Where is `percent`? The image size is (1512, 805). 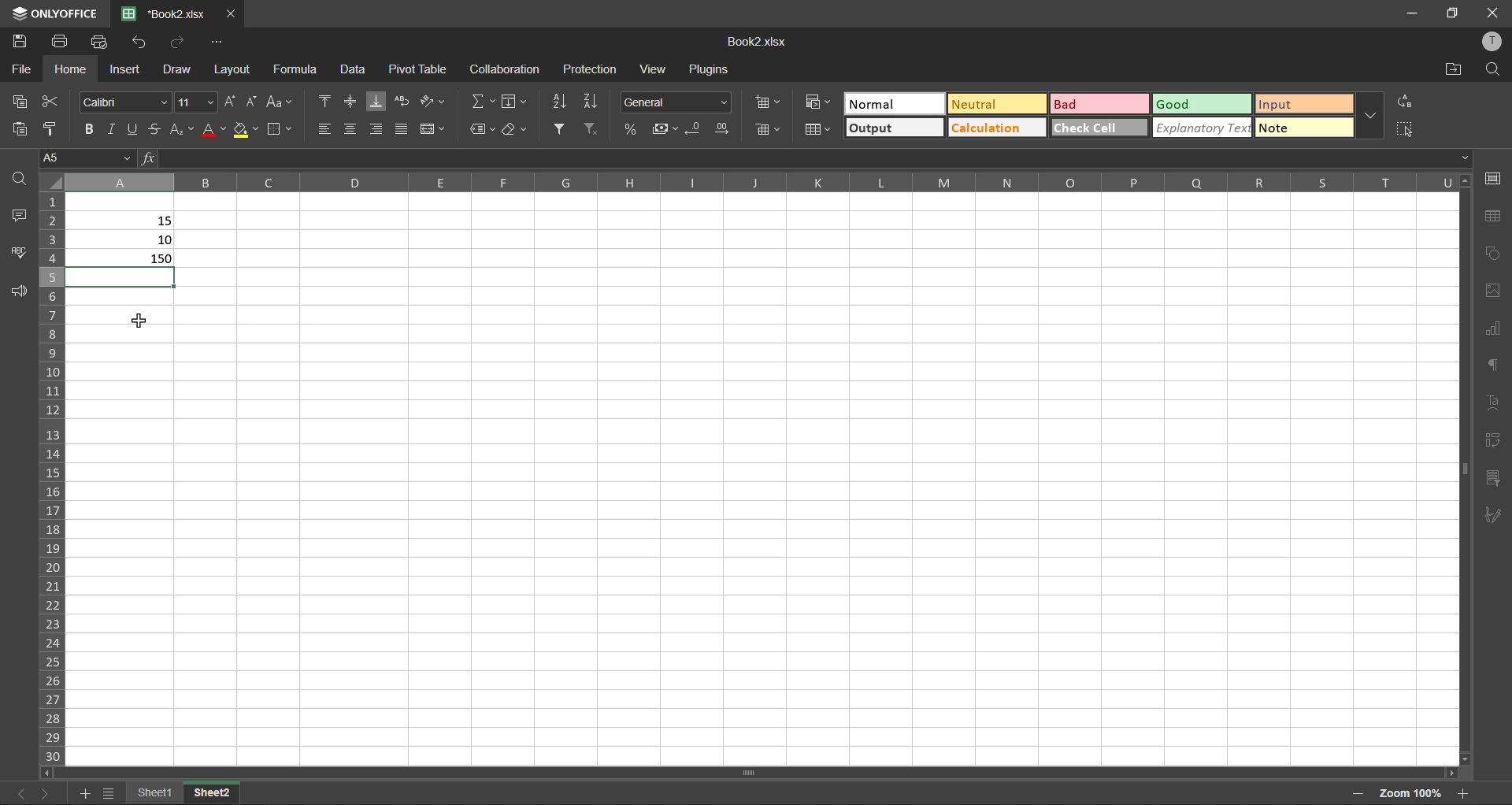 percent is located at coordinates (636, 128).